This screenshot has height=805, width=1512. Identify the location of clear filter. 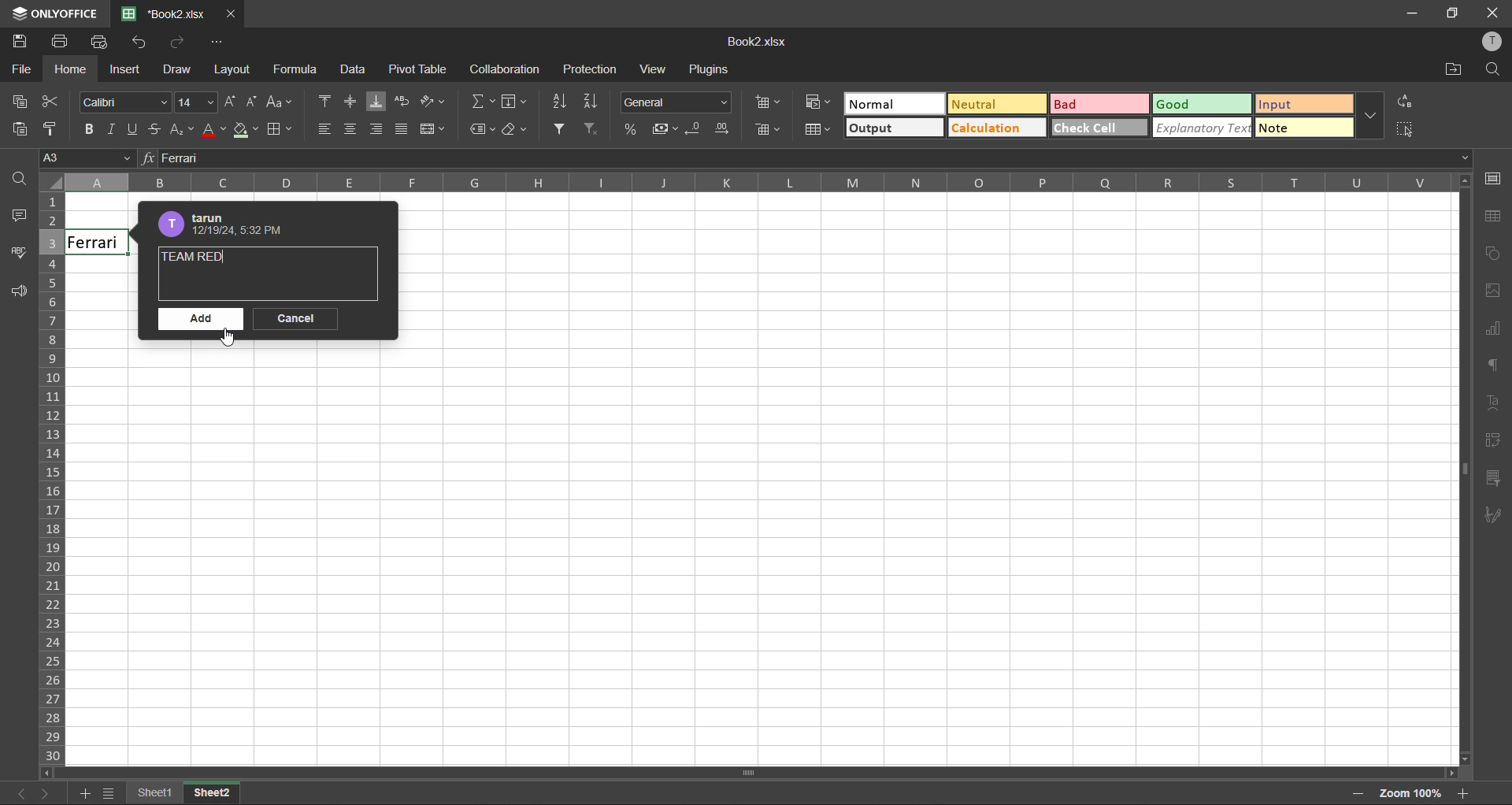
(598, 129).